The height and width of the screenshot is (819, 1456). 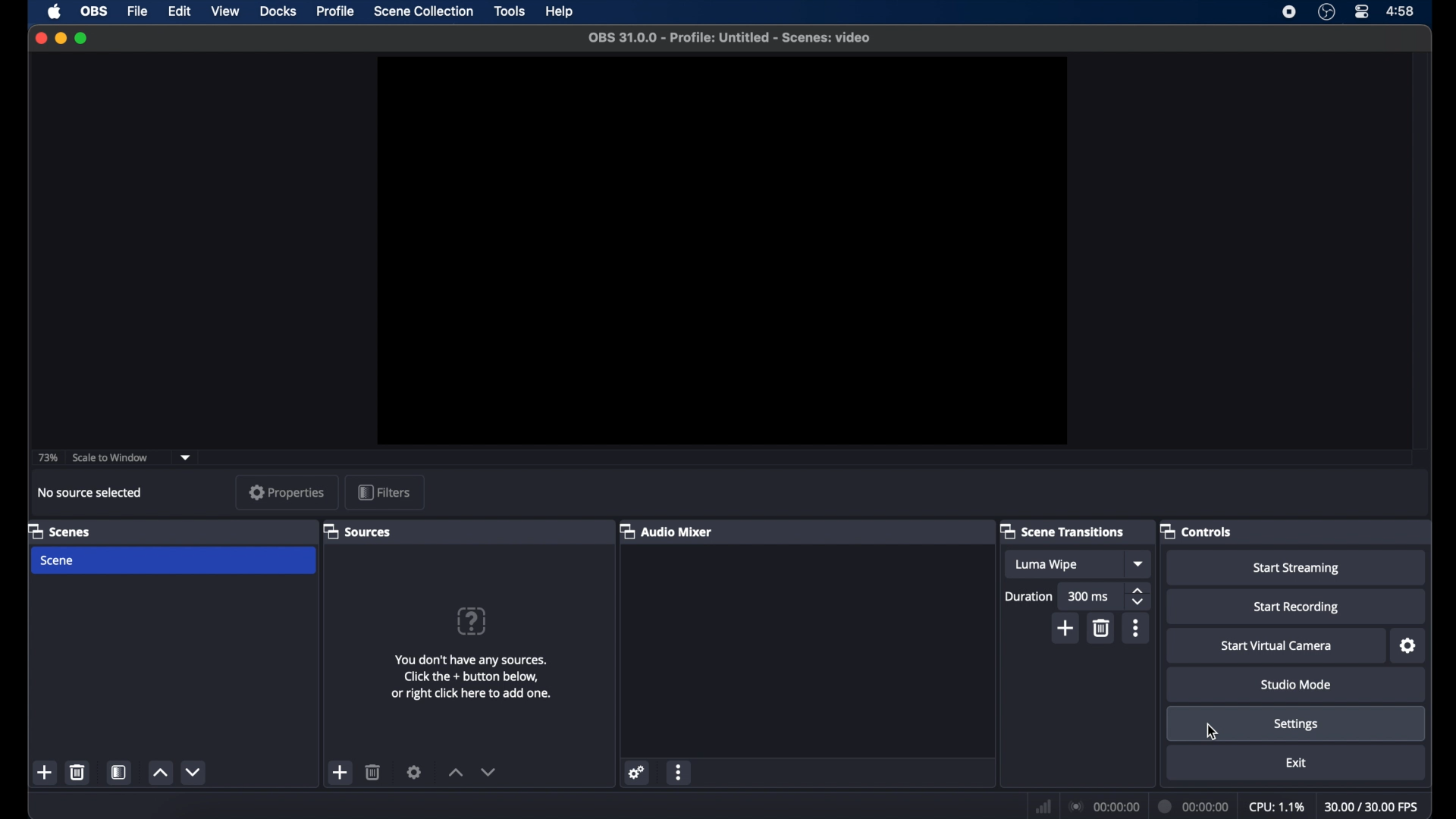 What do you see at coordinates (140, 11) in the screenshot?
I see `file` at bounding box center [140, 11].